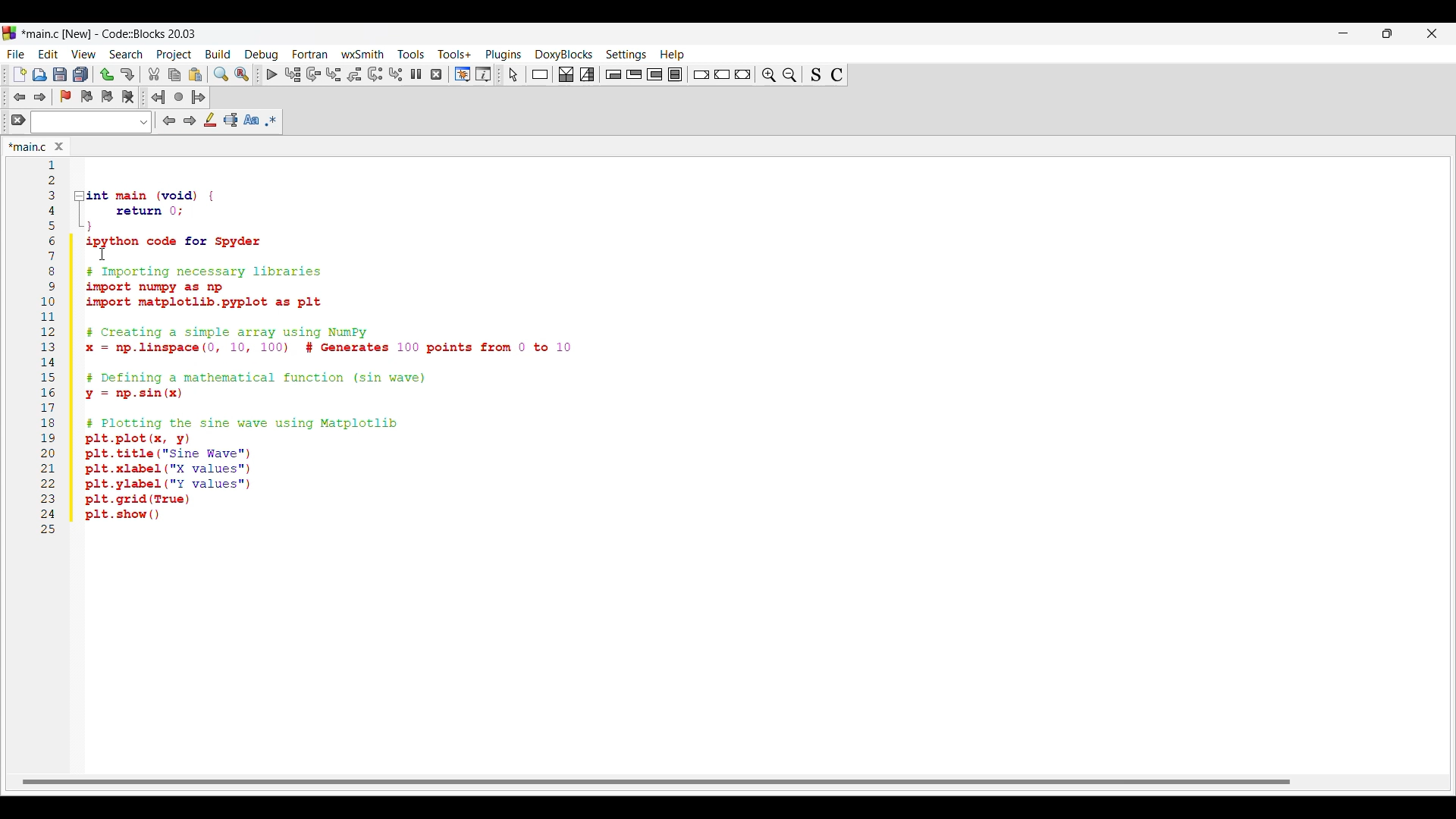  What do you see at coordinates (16, 55) in the screenshot?
I see `File menu` at bounding box center [16, 55].